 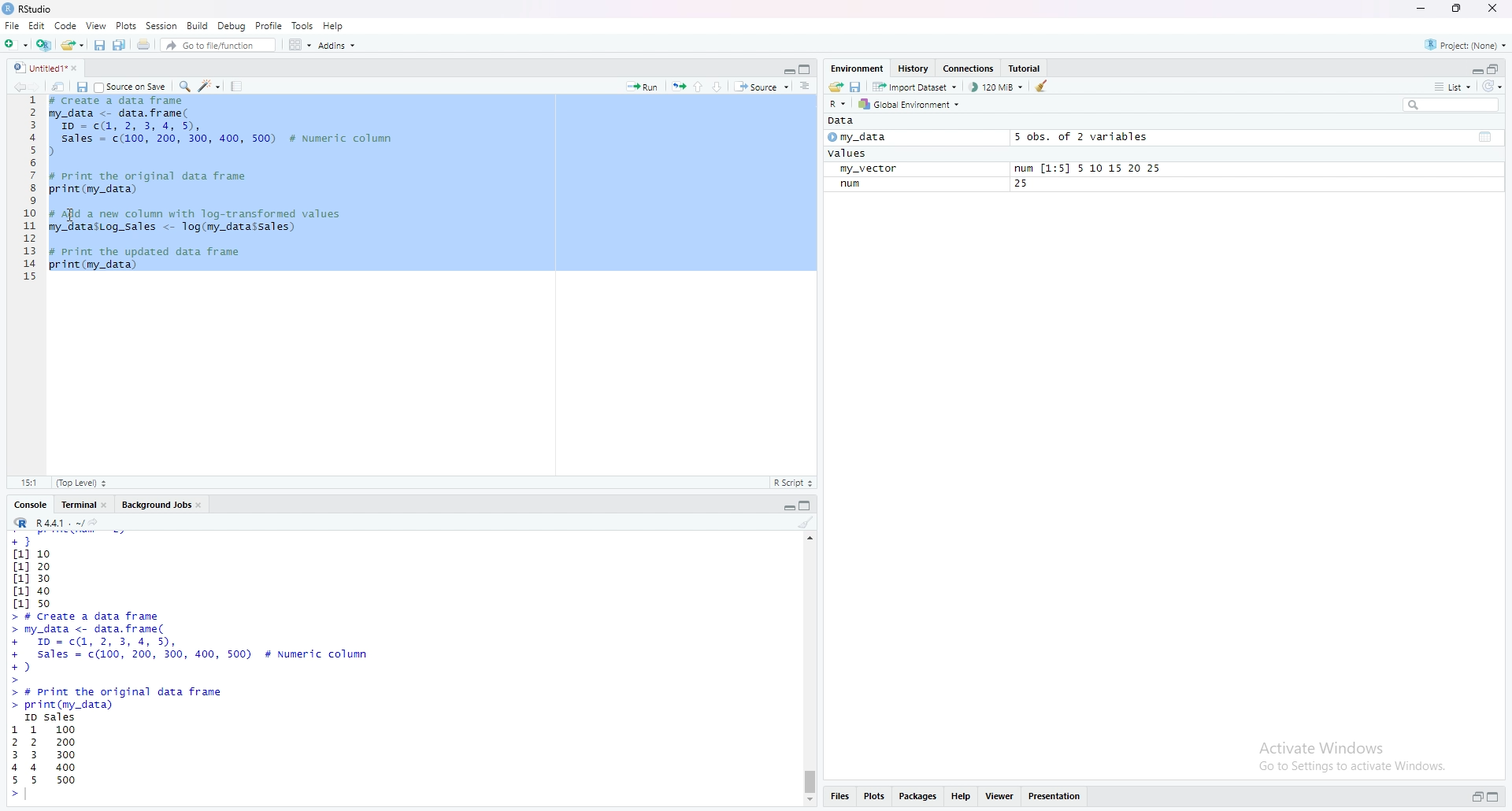 I want to click on move down, so click(x=812, y=801).